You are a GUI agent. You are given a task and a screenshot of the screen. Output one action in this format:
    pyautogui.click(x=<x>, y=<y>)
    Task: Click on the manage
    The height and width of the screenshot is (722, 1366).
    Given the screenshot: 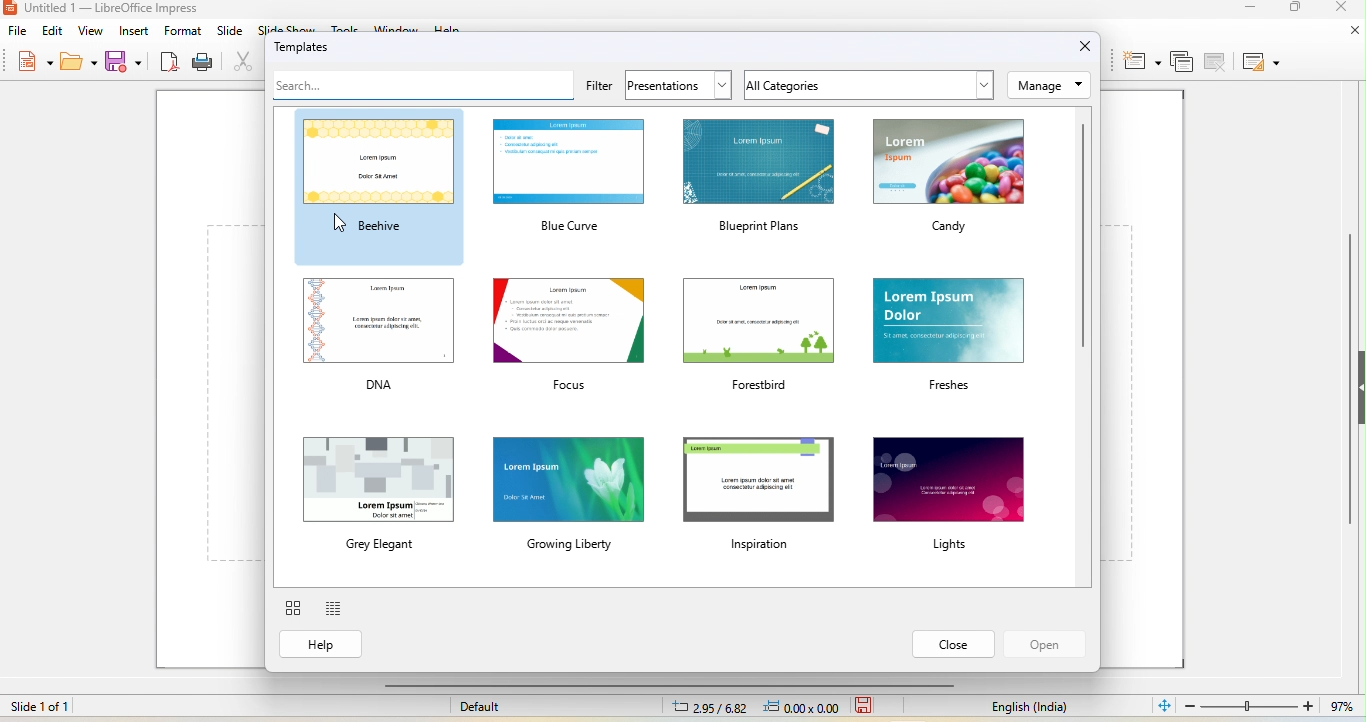 What is the action you would take?
    pyautogui.click(x=1048, y=85)
    